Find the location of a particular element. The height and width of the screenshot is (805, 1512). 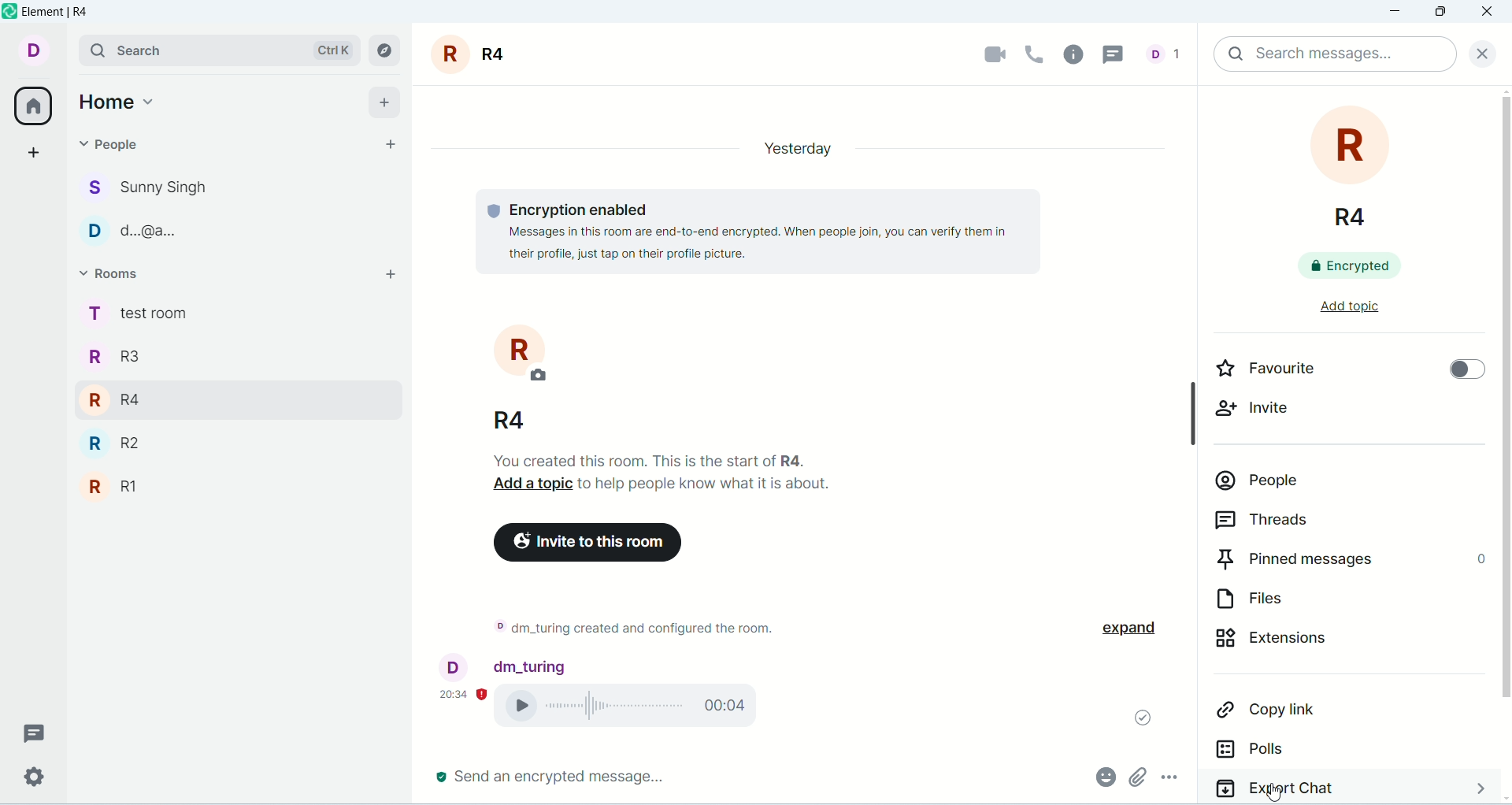

polls is located at coordinates (1301, 751).